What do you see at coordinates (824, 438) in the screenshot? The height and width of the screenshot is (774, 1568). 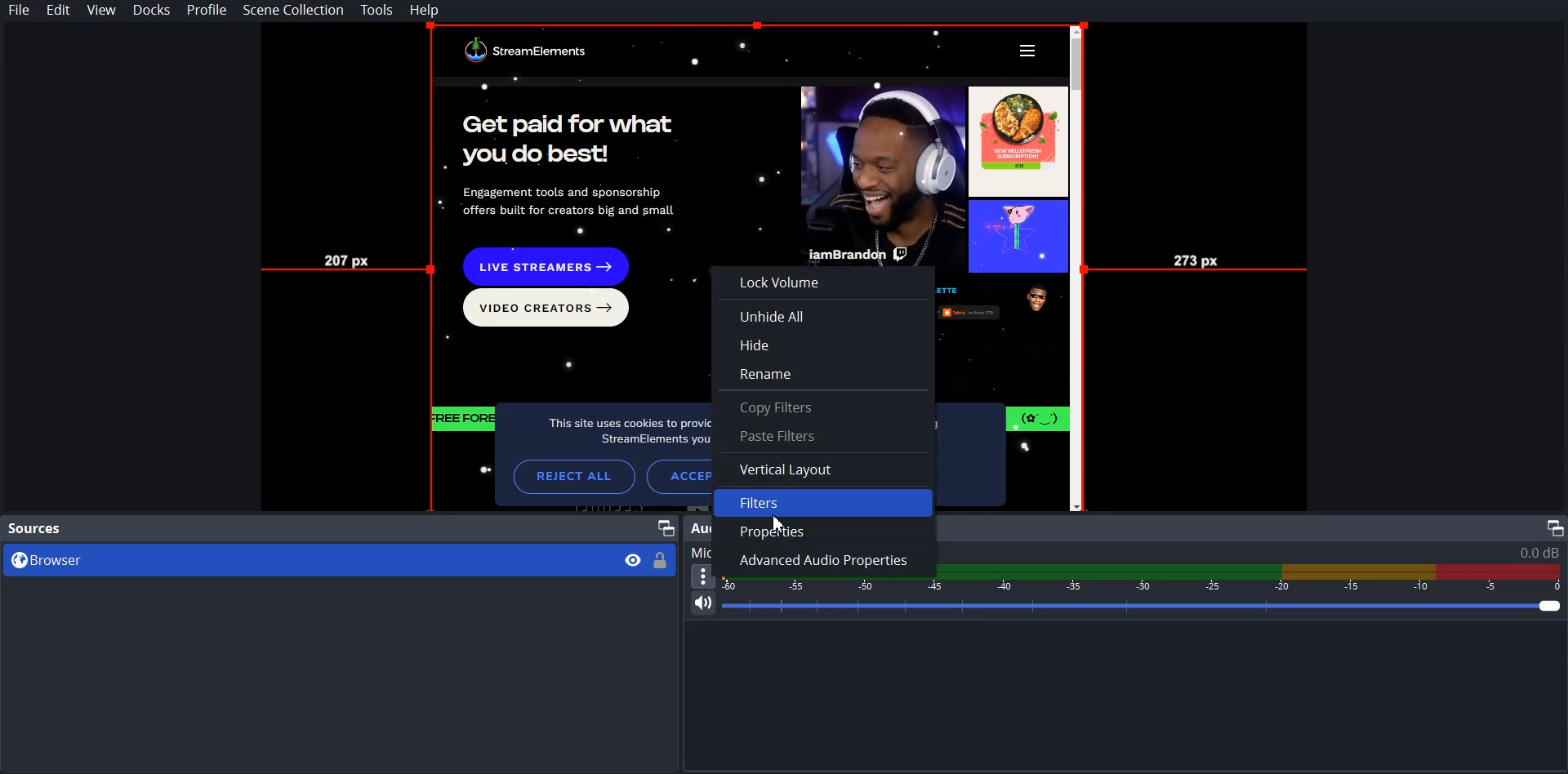 I see `Paste Filter` at bounding box center [824, 438].